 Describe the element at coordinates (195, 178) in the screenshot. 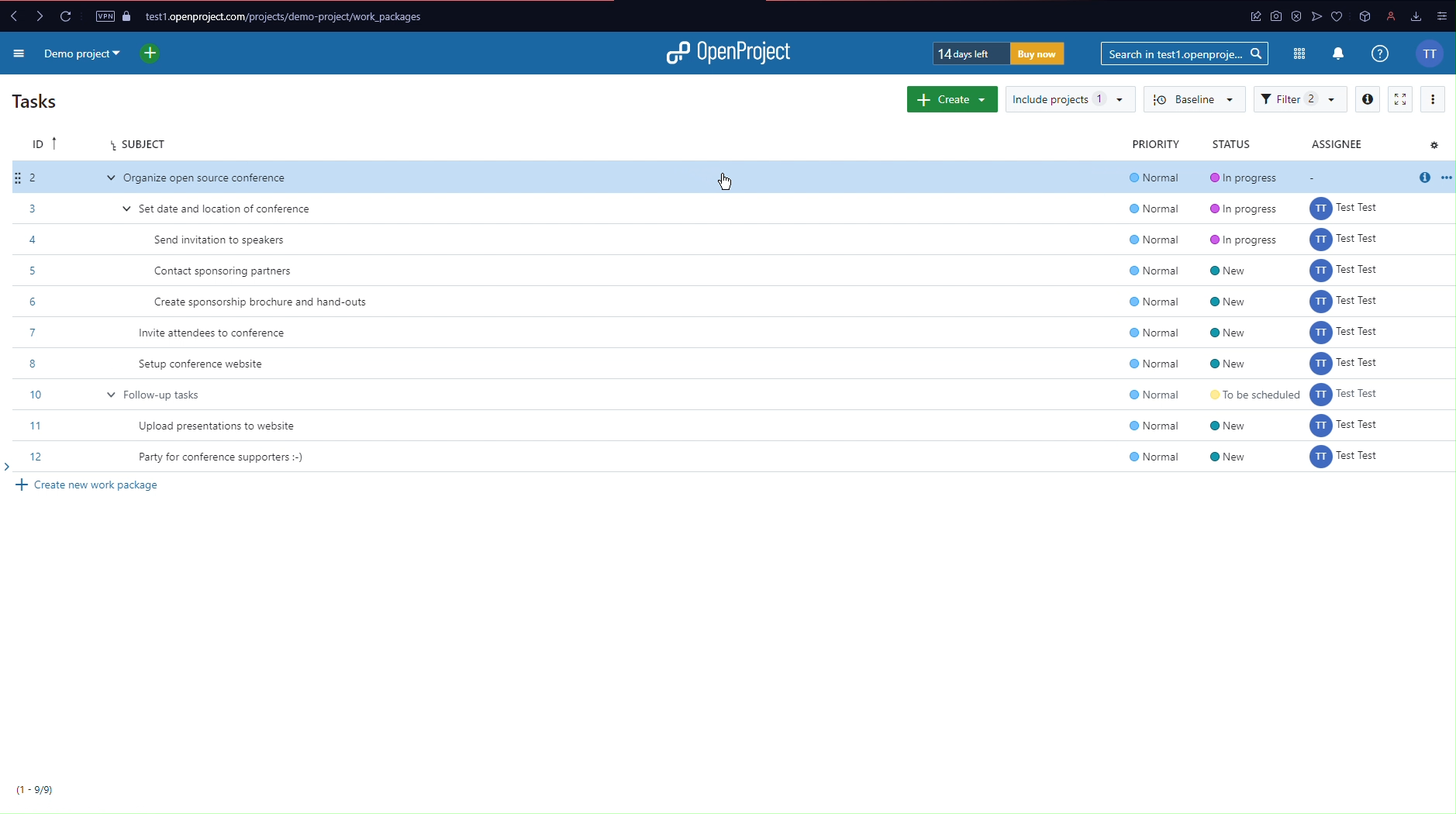

I see `Organize open source conference` at that location.